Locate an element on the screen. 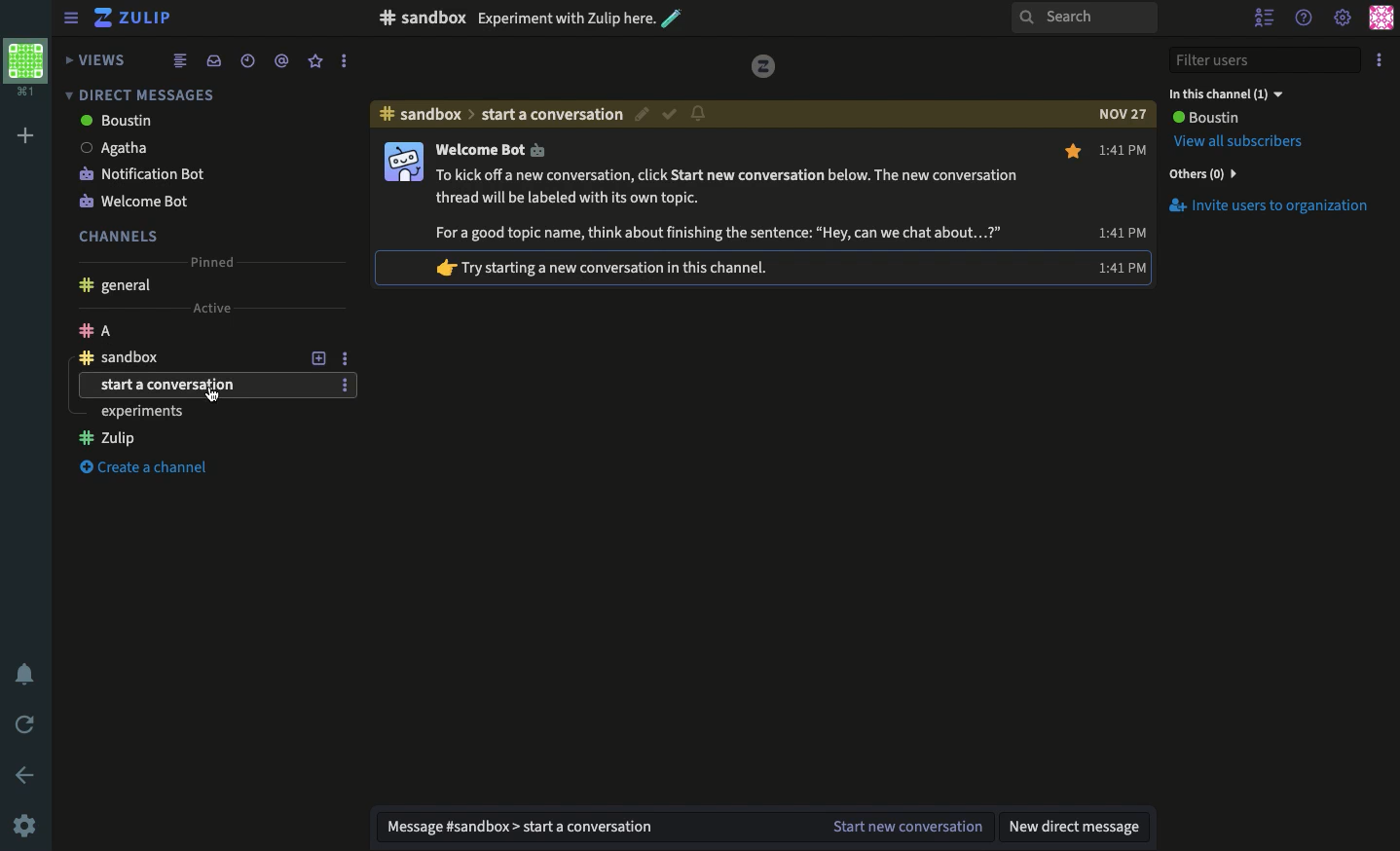  Profile is located at coordinates (24, 65).